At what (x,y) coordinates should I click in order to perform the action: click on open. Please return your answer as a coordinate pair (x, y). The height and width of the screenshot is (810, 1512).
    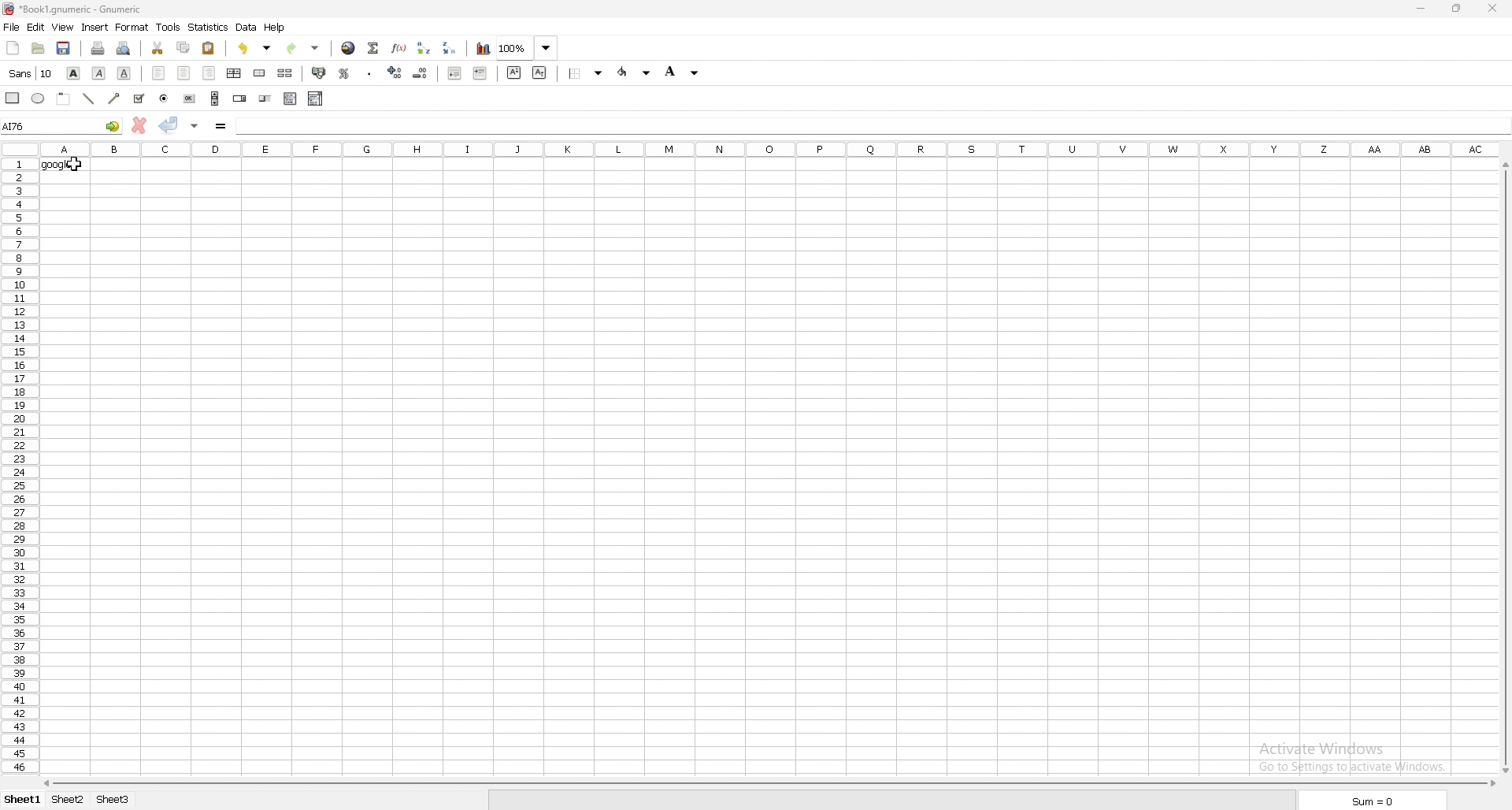
    Looking at the image, I should click on (40, 48).